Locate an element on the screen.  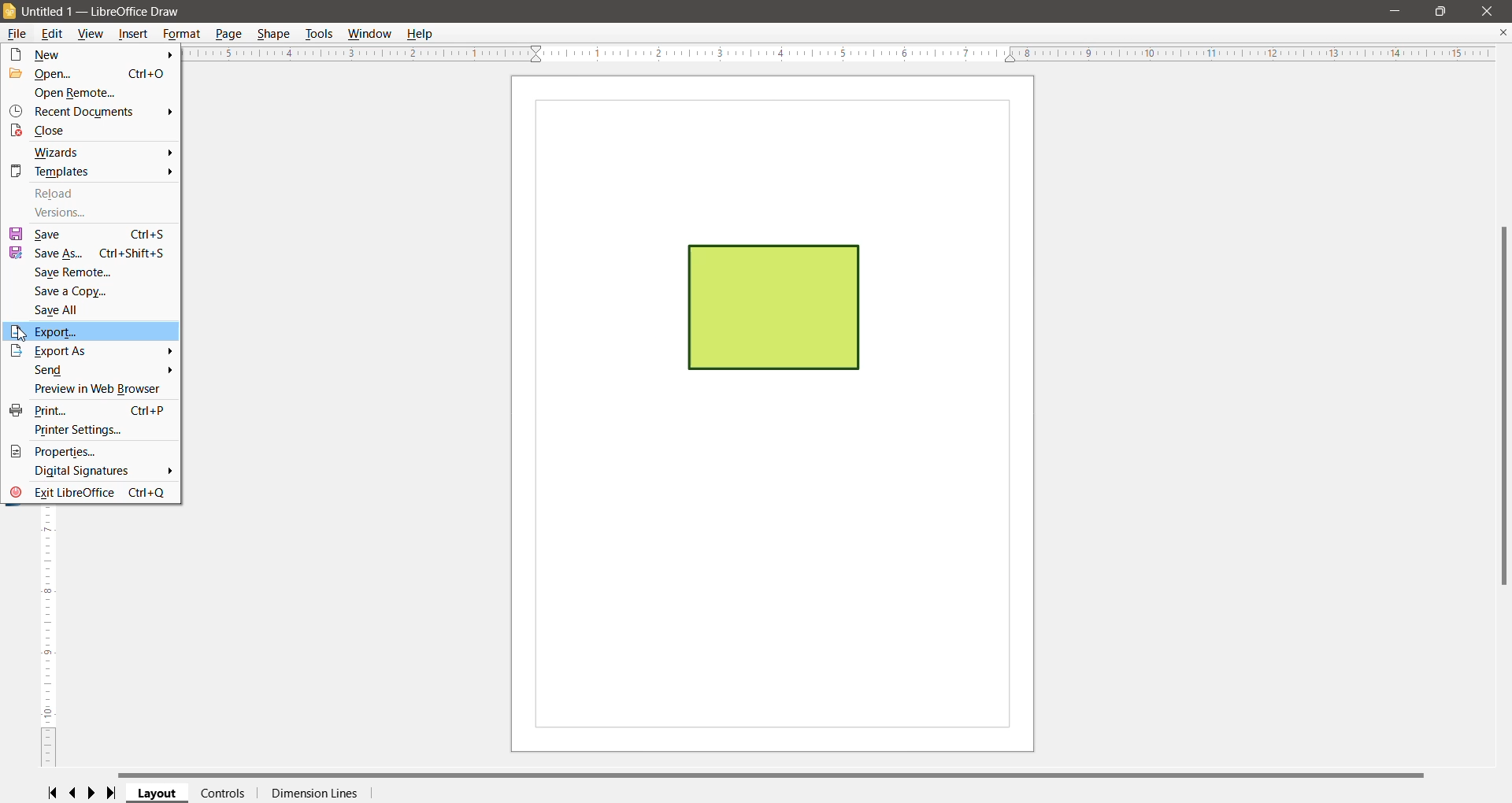
Window is located at coordinates (371, 34).